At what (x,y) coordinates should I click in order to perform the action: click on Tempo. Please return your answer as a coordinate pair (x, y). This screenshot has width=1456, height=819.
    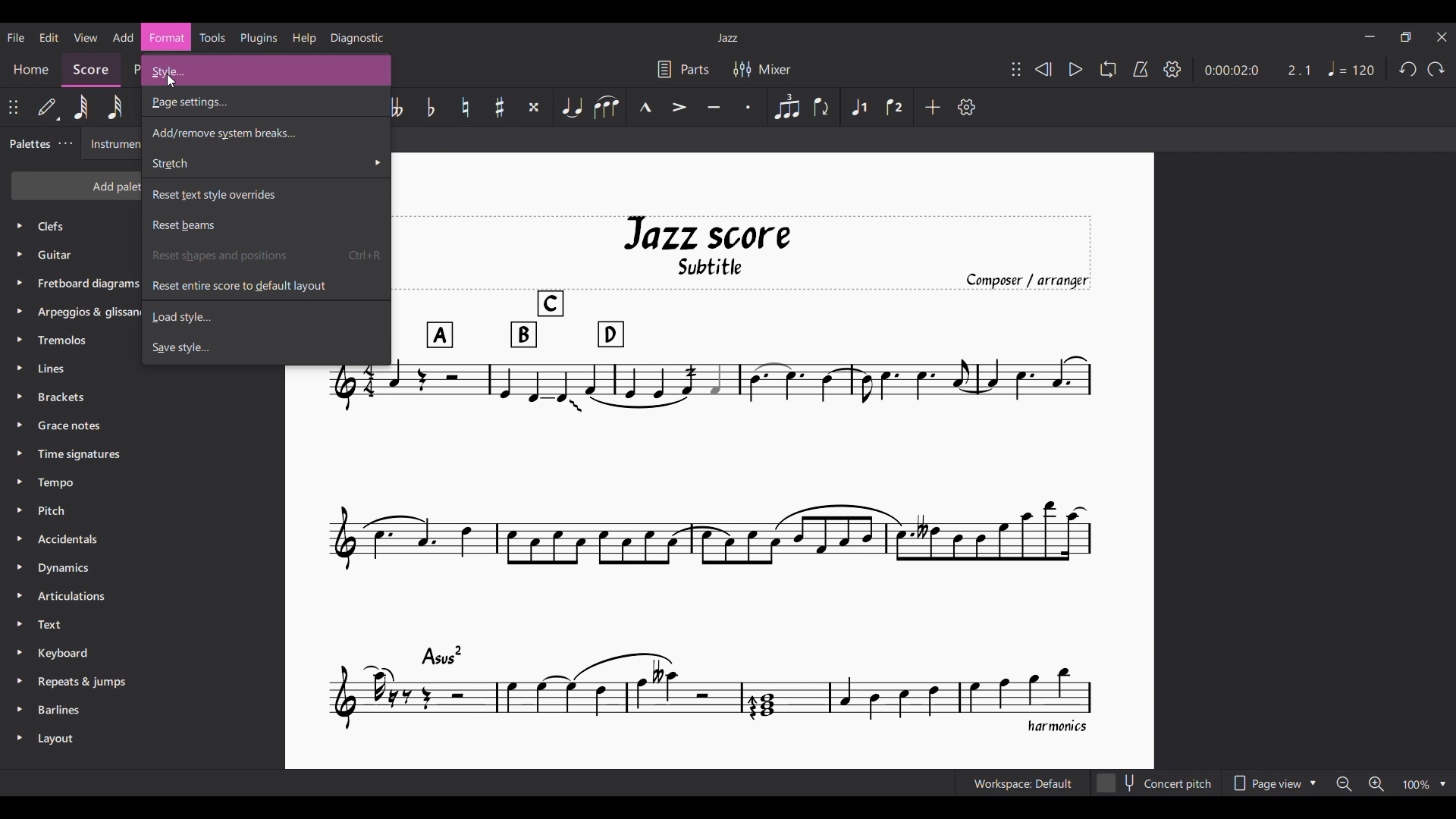
    Looking at the image, I should click on (56, 482).